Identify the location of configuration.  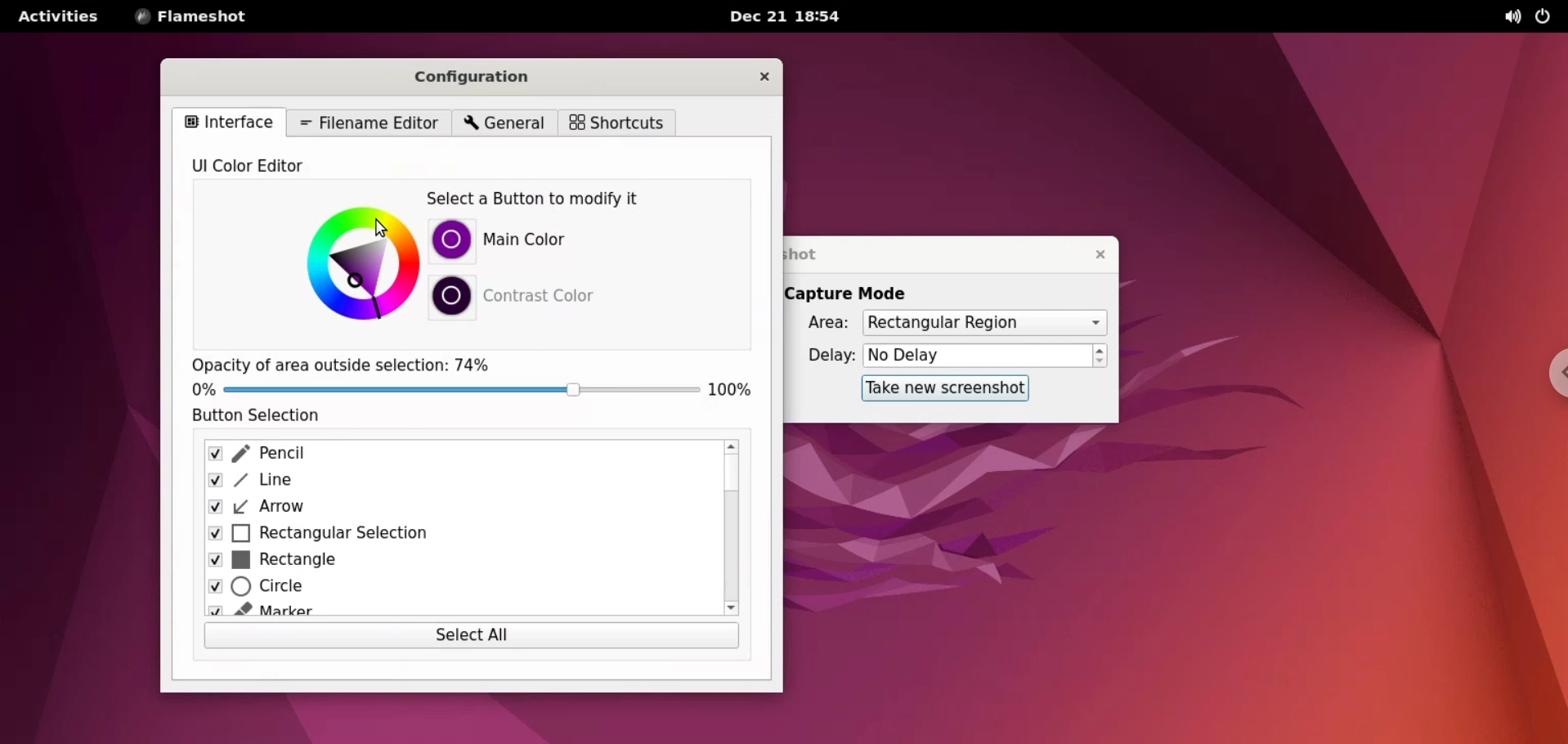
(495, 79).